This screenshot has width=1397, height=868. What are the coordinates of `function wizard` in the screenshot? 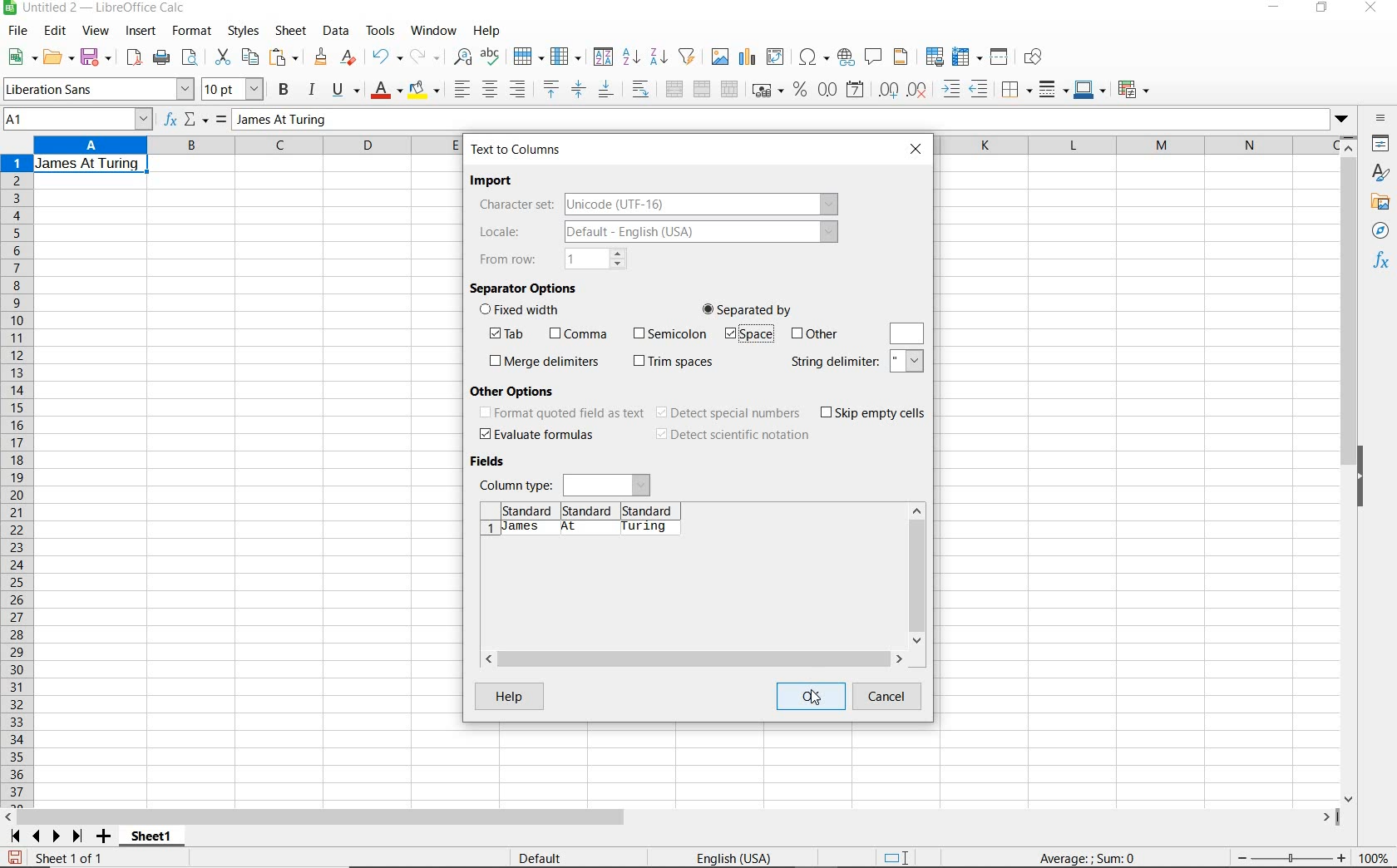 It's located at (172, 121).